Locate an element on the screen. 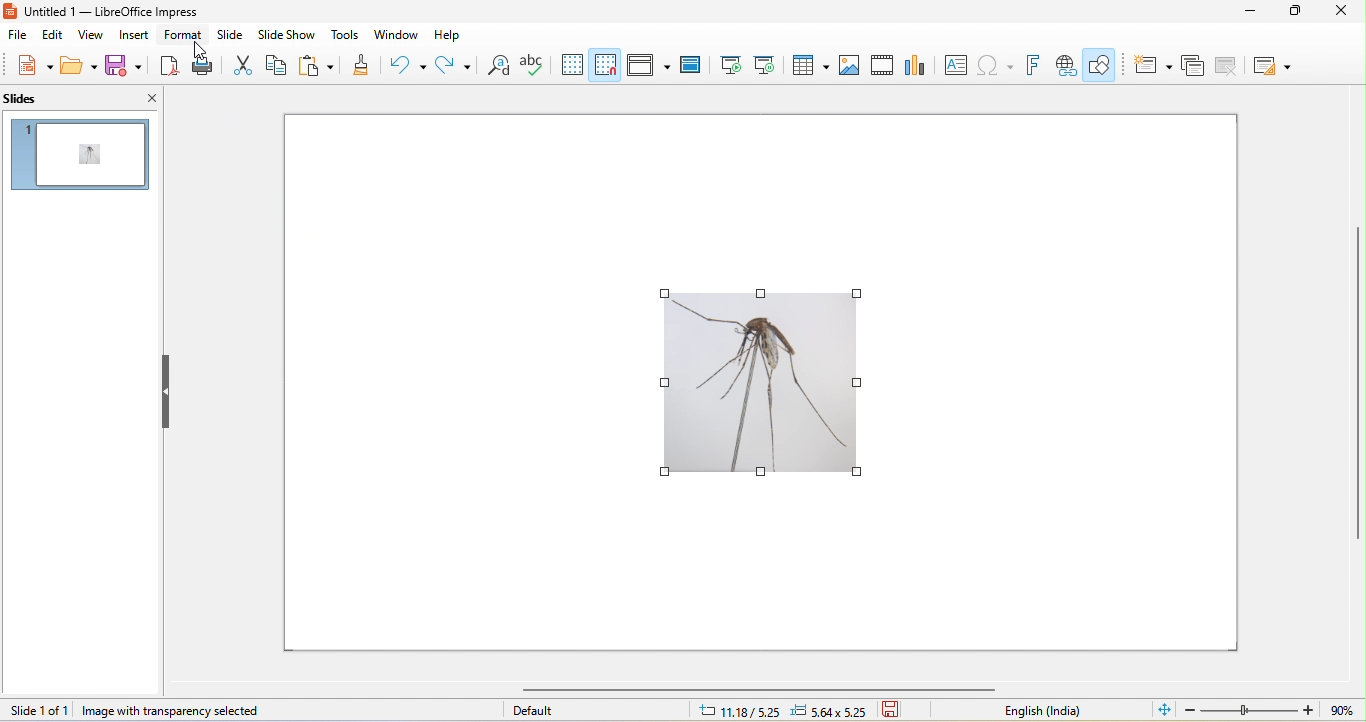 The height and width of the screenshot is (722, 1366). redo is located at coordinates (454, 65).